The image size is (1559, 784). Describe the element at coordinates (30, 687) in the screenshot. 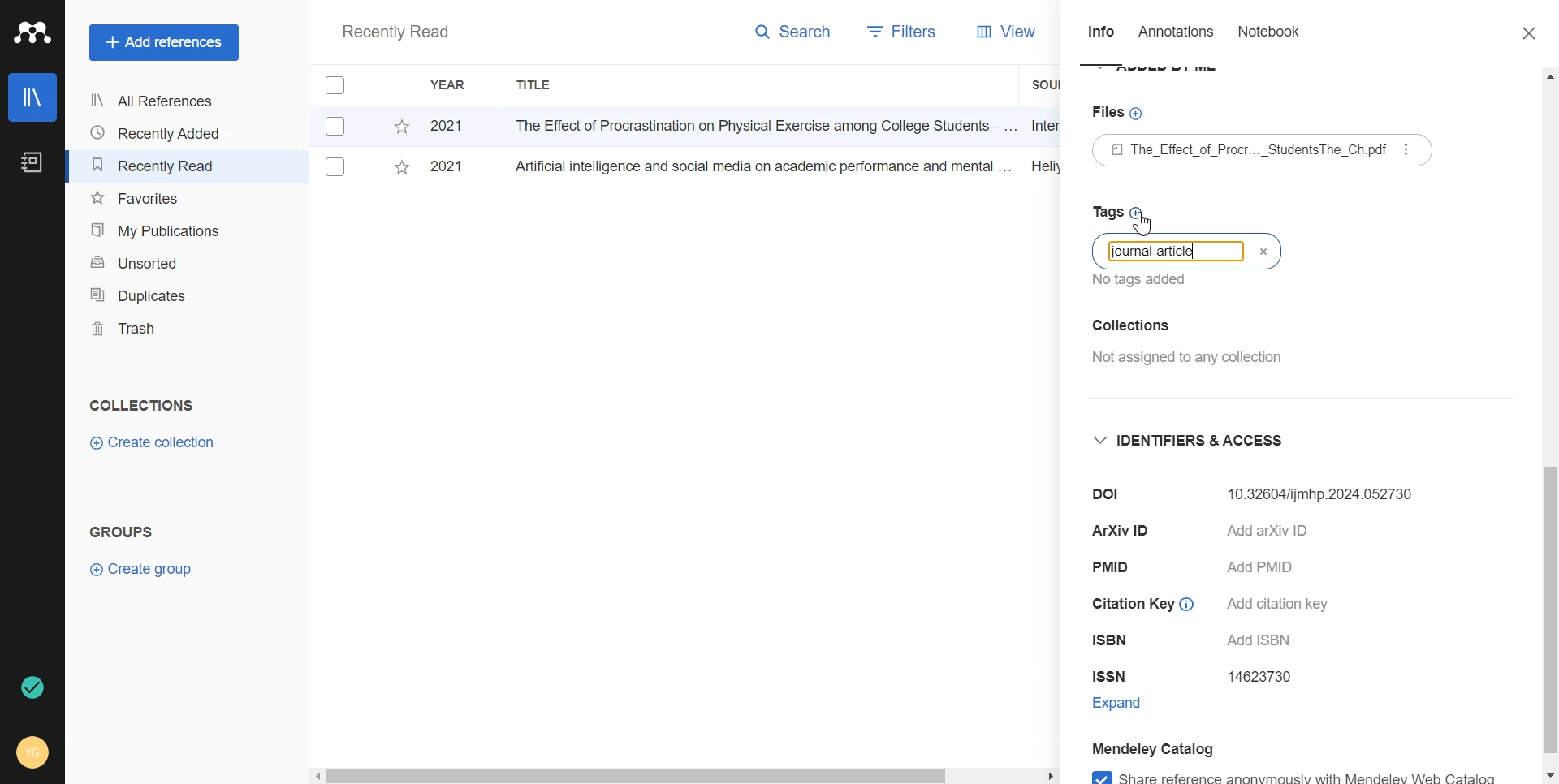

I see `Auto sync` at that location.